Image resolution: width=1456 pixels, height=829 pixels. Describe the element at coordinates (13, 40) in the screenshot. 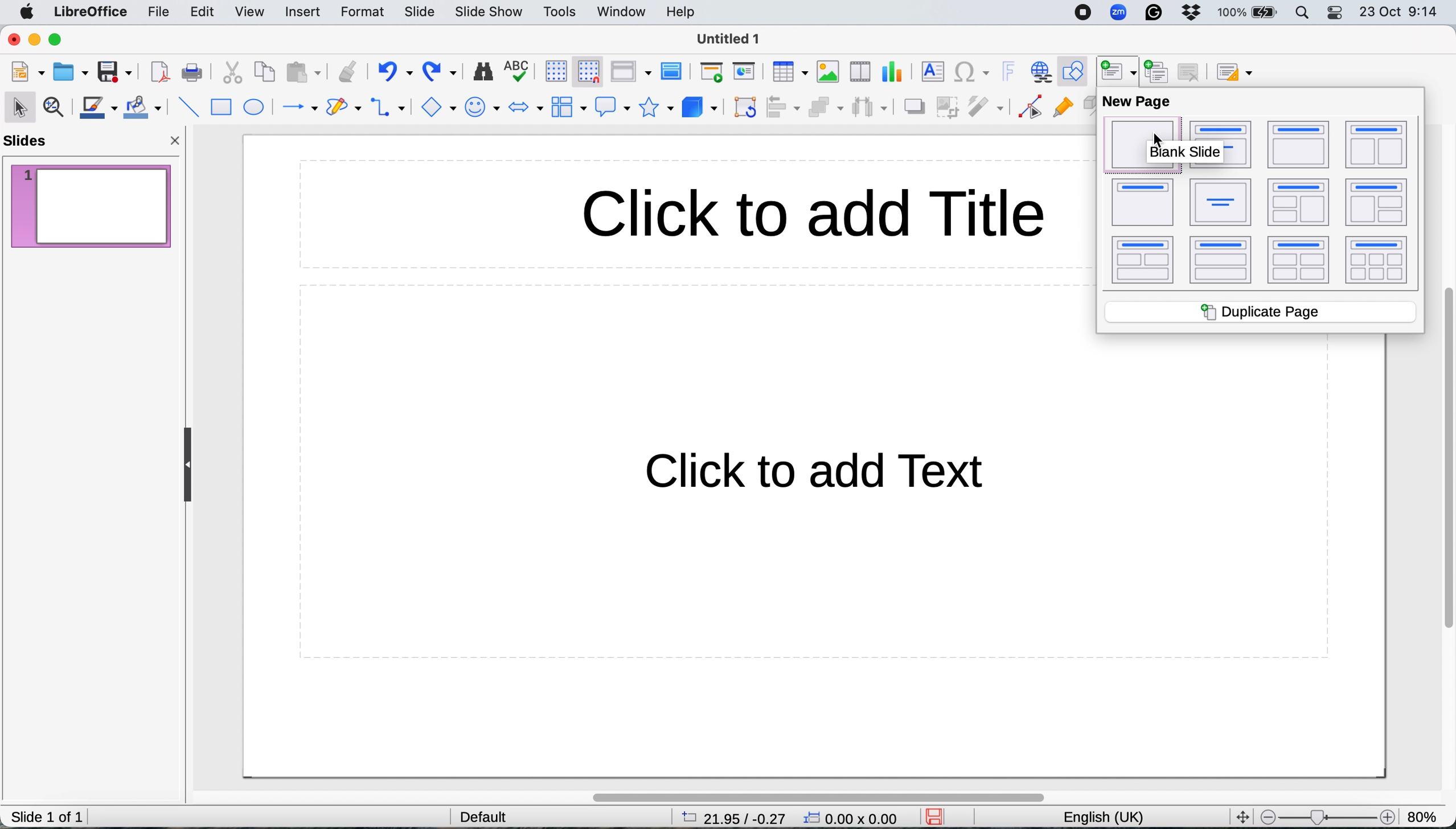

I see `close` at that location.